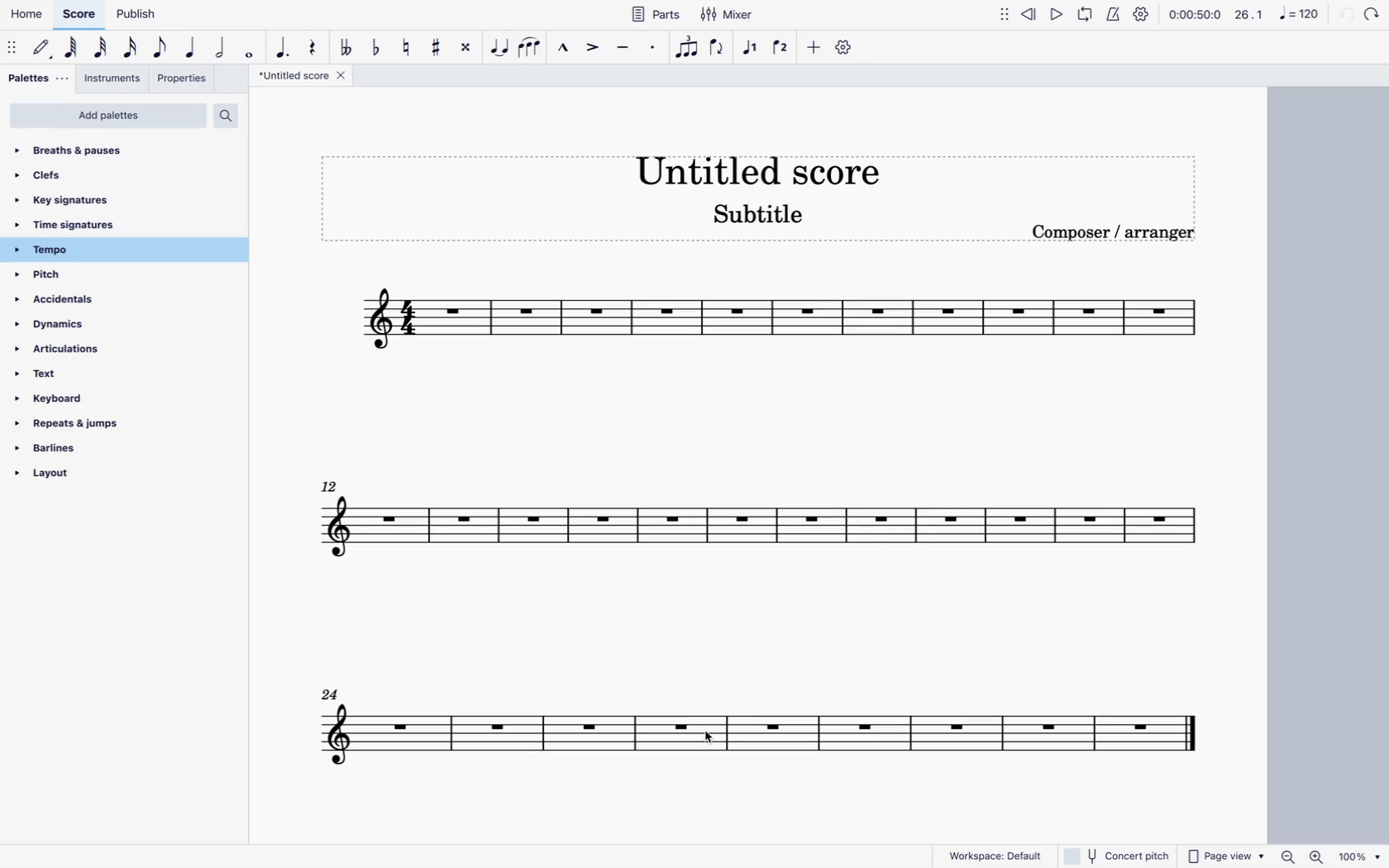  What do you see at coordinates (346, 48) in the screenshot?
I see `double toggle flat` at bounding box center [346, 48].